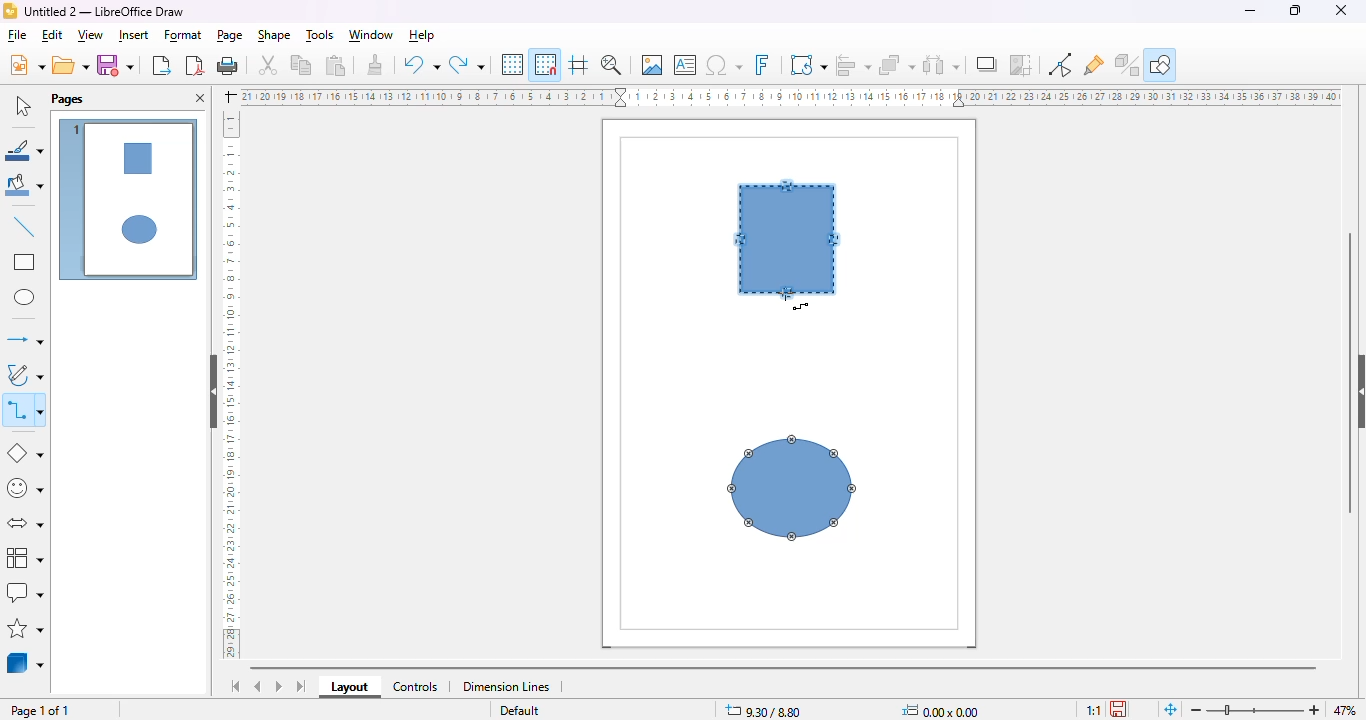 This screenshot has height=720, width=1366. I want to click on undo, so click(421, 66).